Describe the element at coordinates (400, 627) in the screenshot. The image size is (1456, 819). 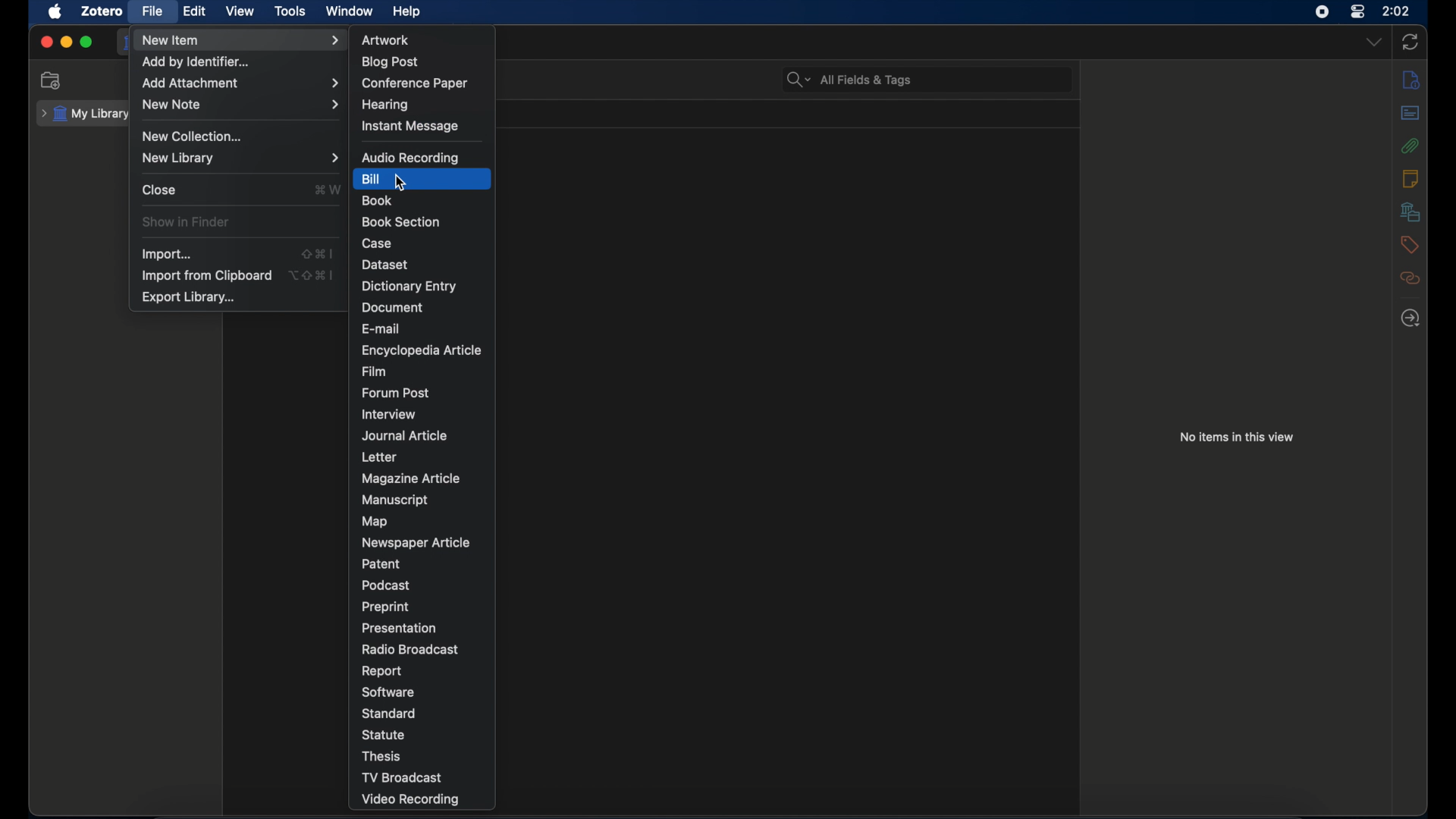
I see `presentation` at that location.